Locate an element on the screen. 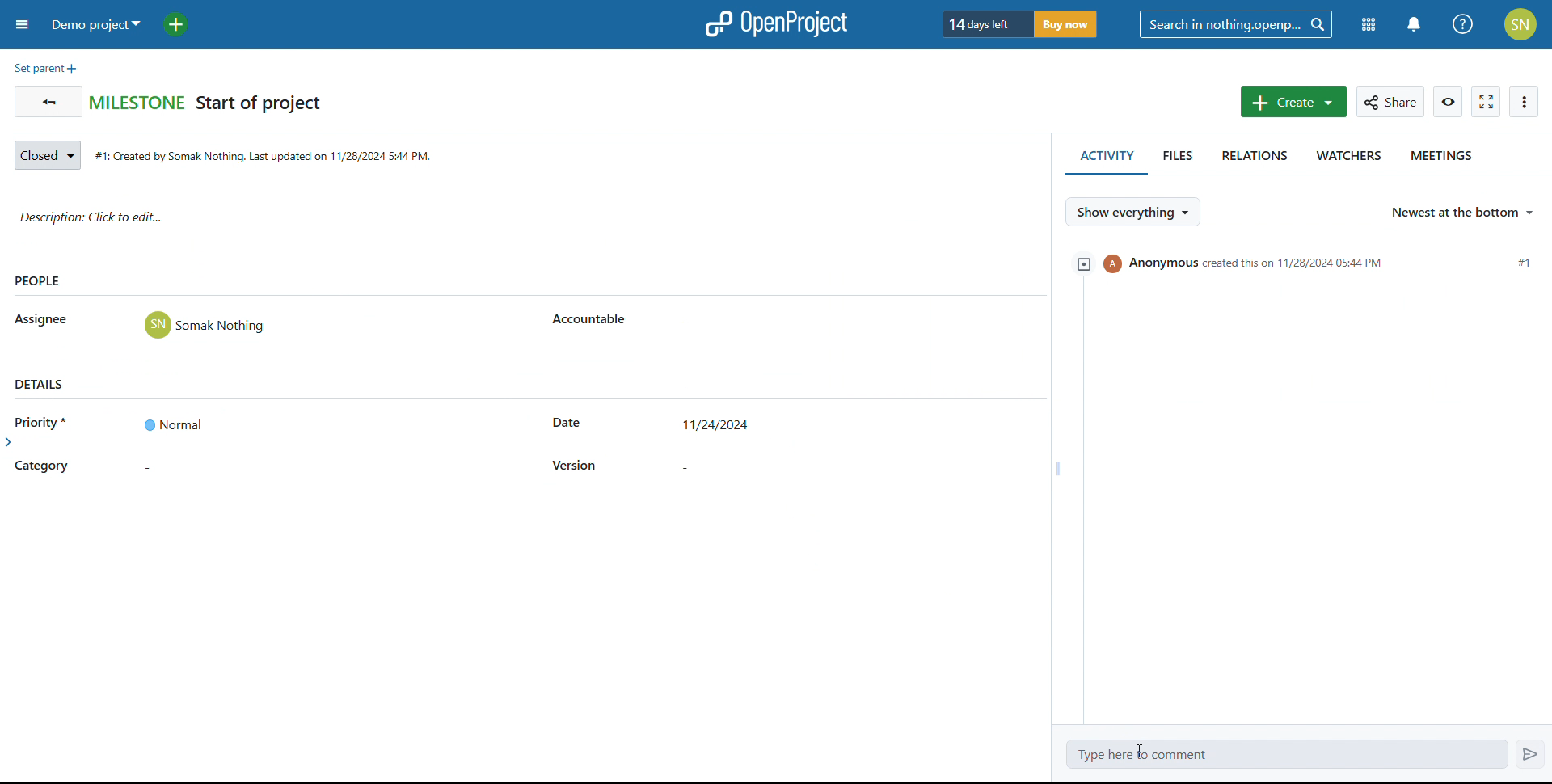 This screenshot has width=1552, height=784. expand side bar is located at coordinates (11, 445).